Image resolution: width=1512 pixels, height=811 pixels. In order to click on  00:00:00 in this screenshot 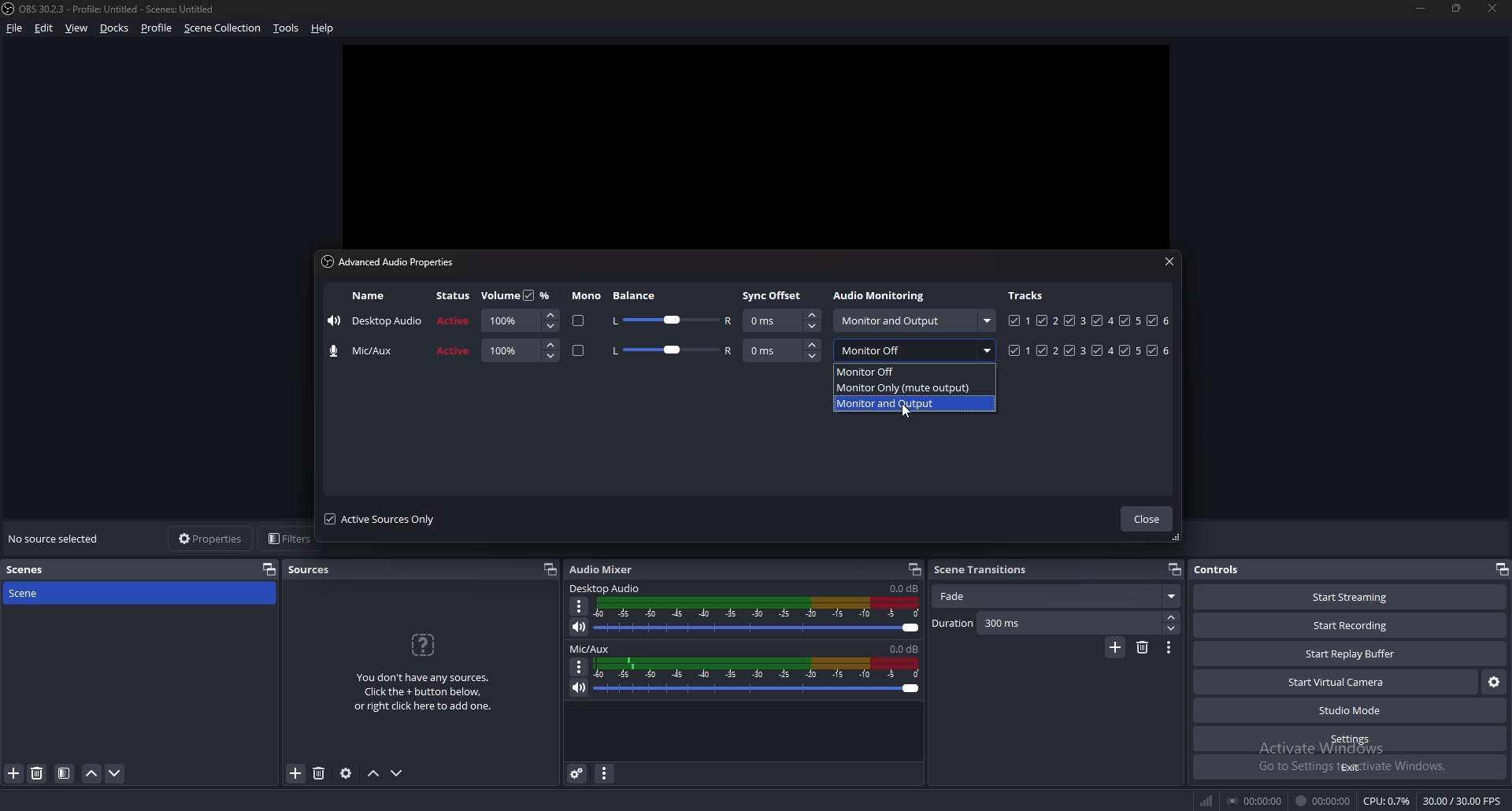, I will do `click(1325, 802)`.